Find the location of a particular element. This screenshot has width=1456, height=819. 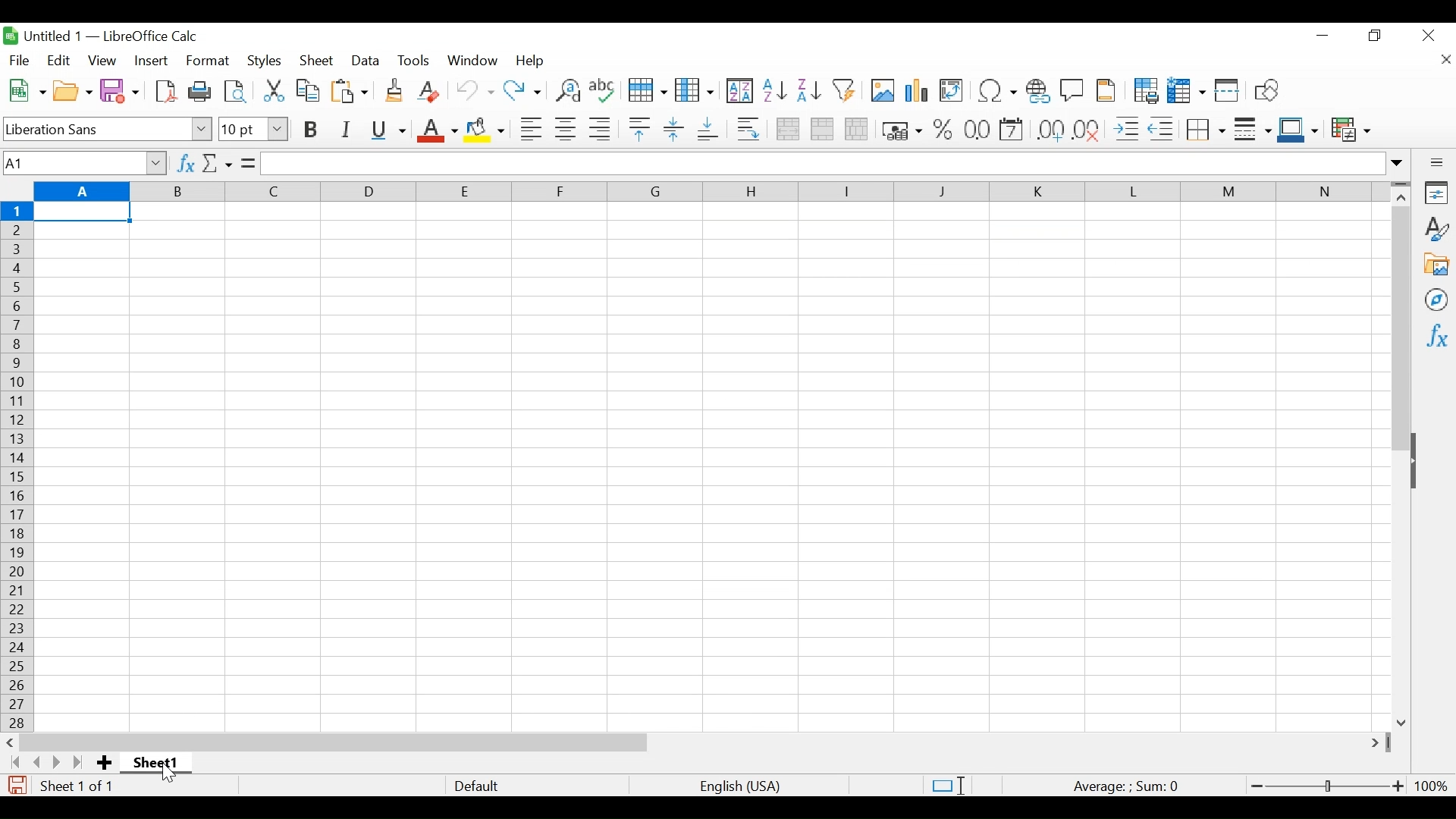

Undo is located at coordinates (474, 90).